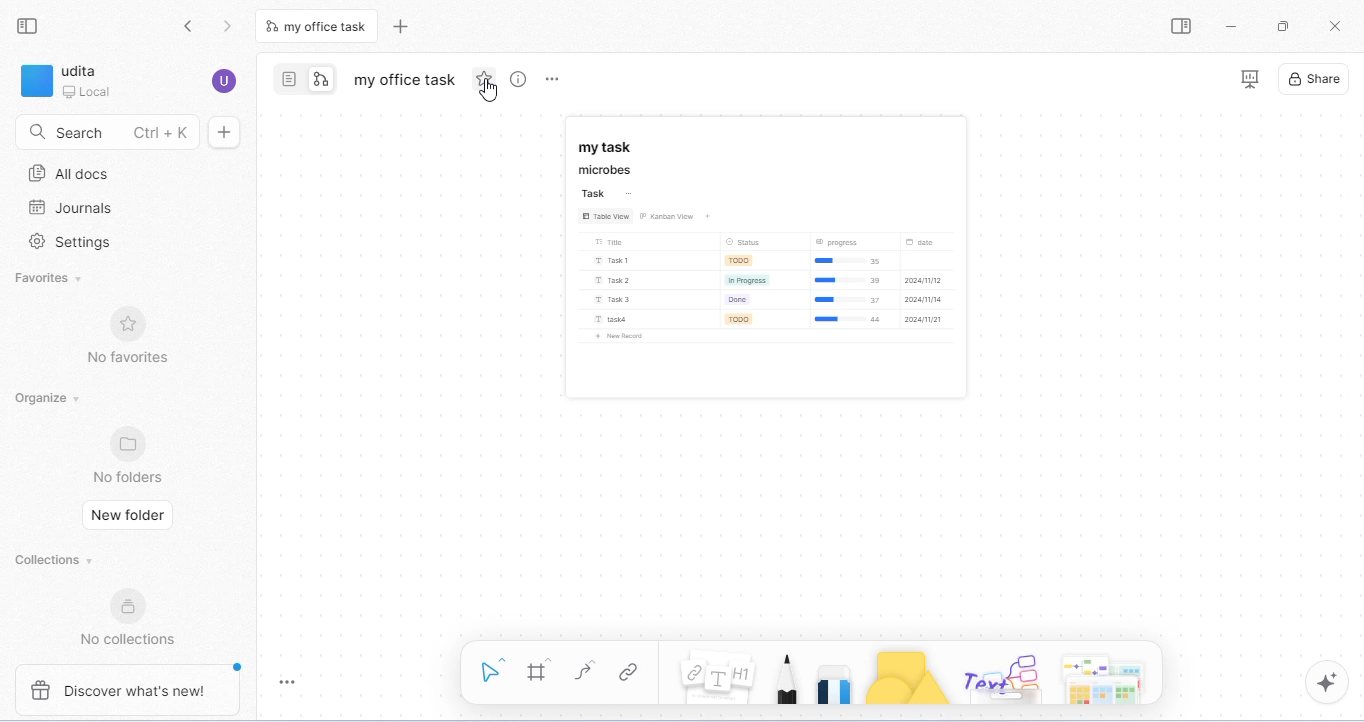  What do you see at coordinates (288, 79) in the screenshot?
I see `page mode` at bounding box center [288, 79].